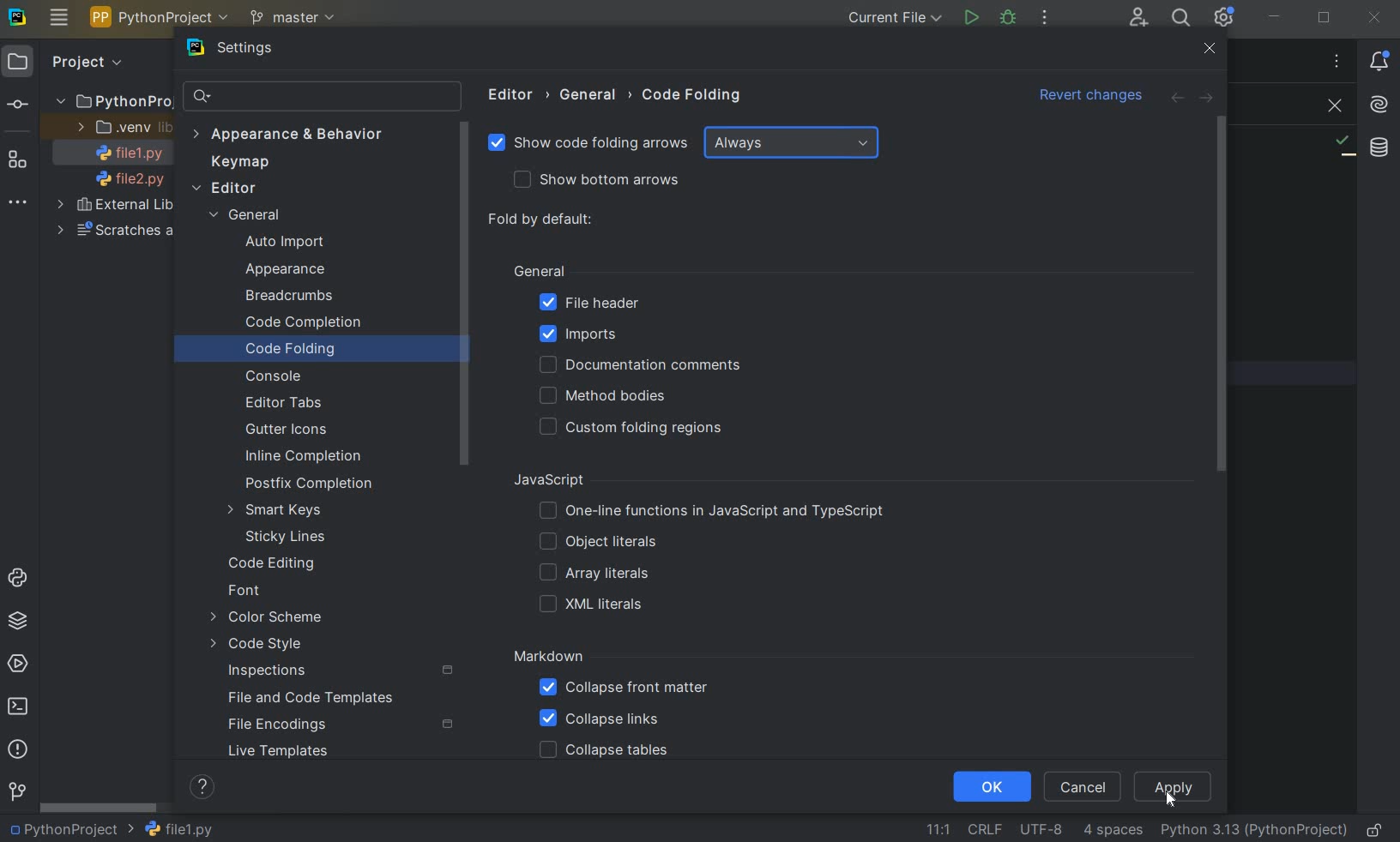 The height and width of the screenshot is (842, 1400). Describe the element at coordinates (568, 480) in the screenshot. I see `JAVASCRIPT` at that location.